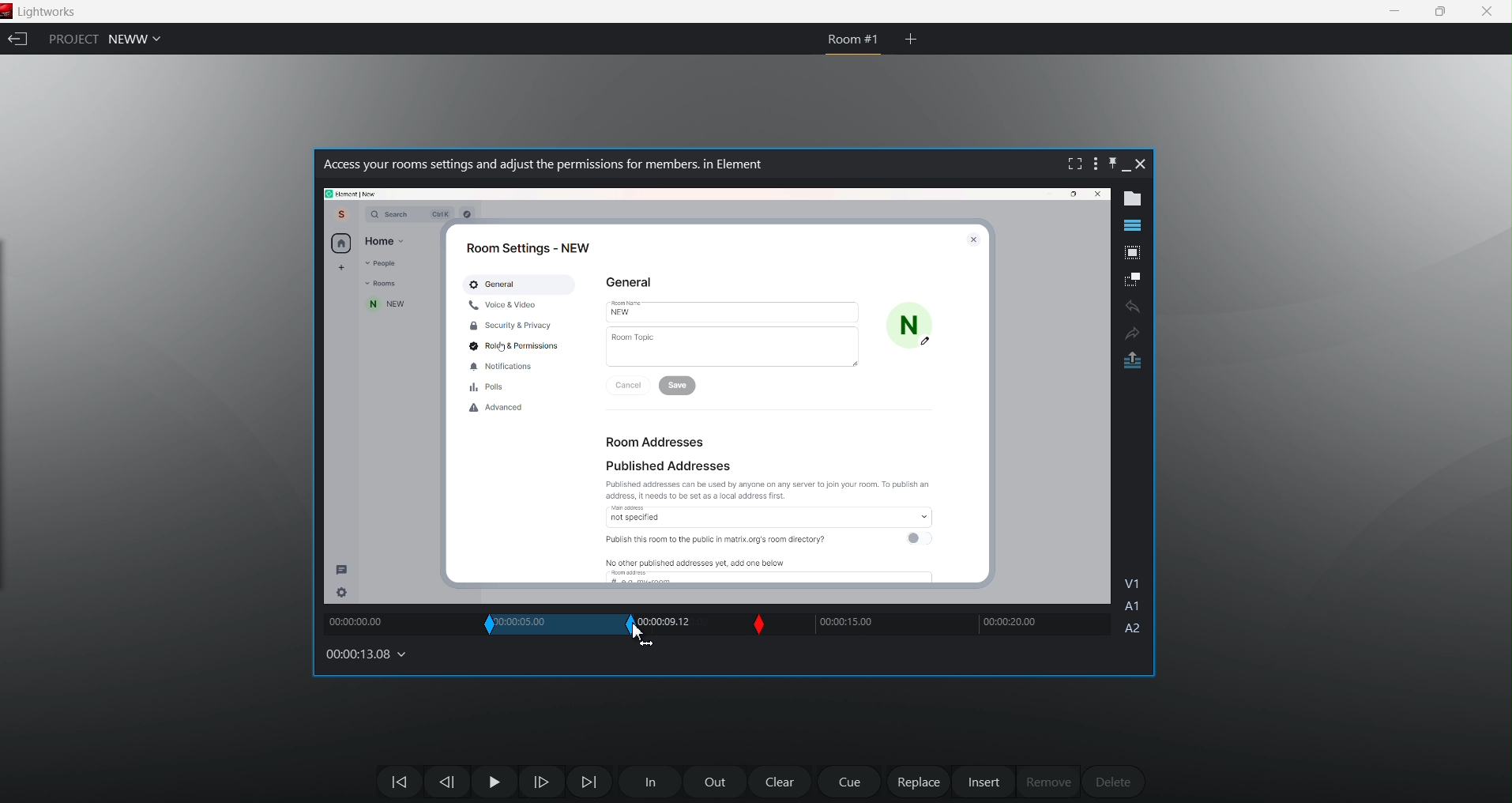  I want to click on Redo, so click(1131, 333).